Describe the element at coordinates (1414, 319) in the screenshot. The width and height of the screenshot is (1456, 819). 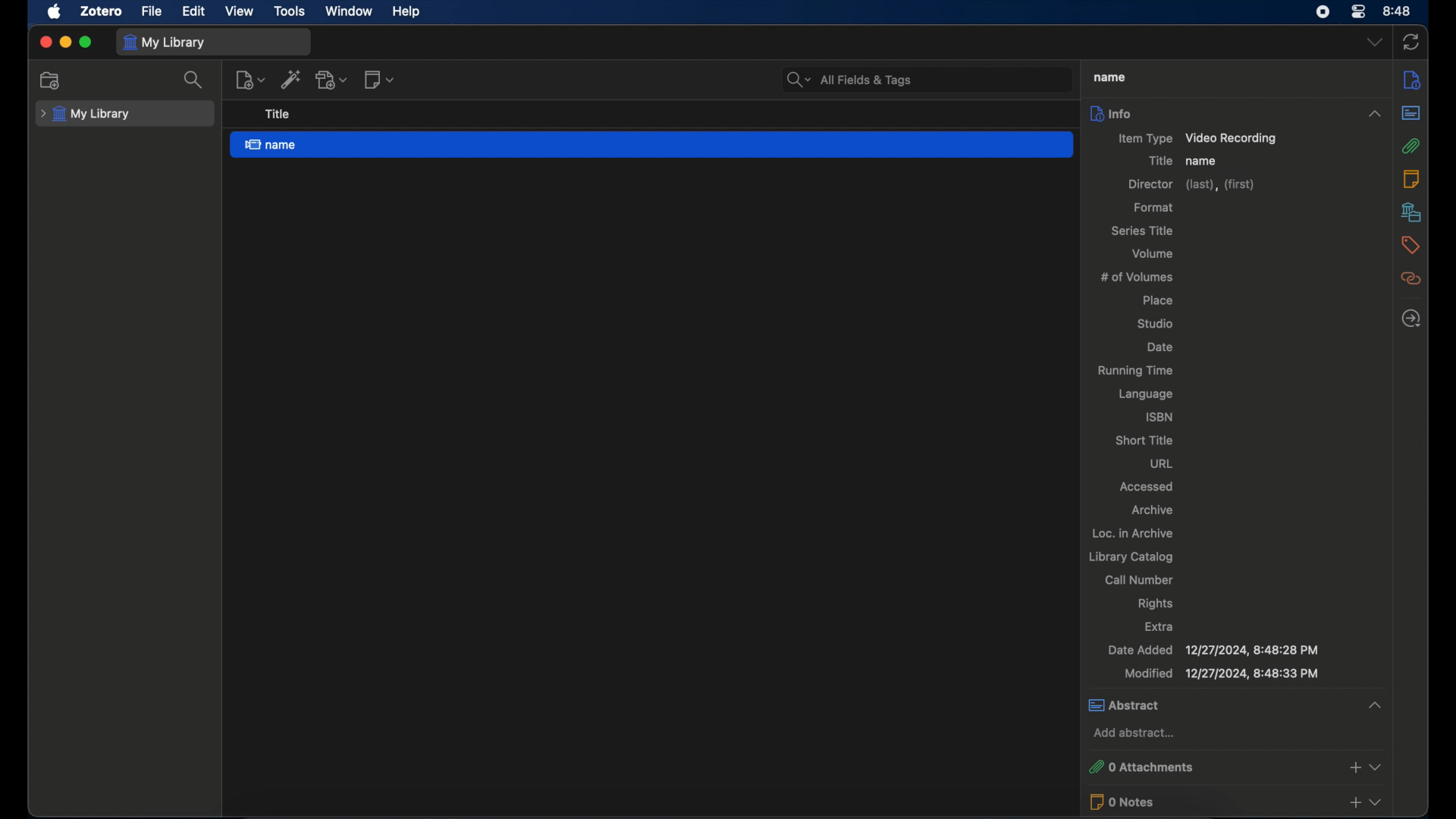
I see `locate` at that location.